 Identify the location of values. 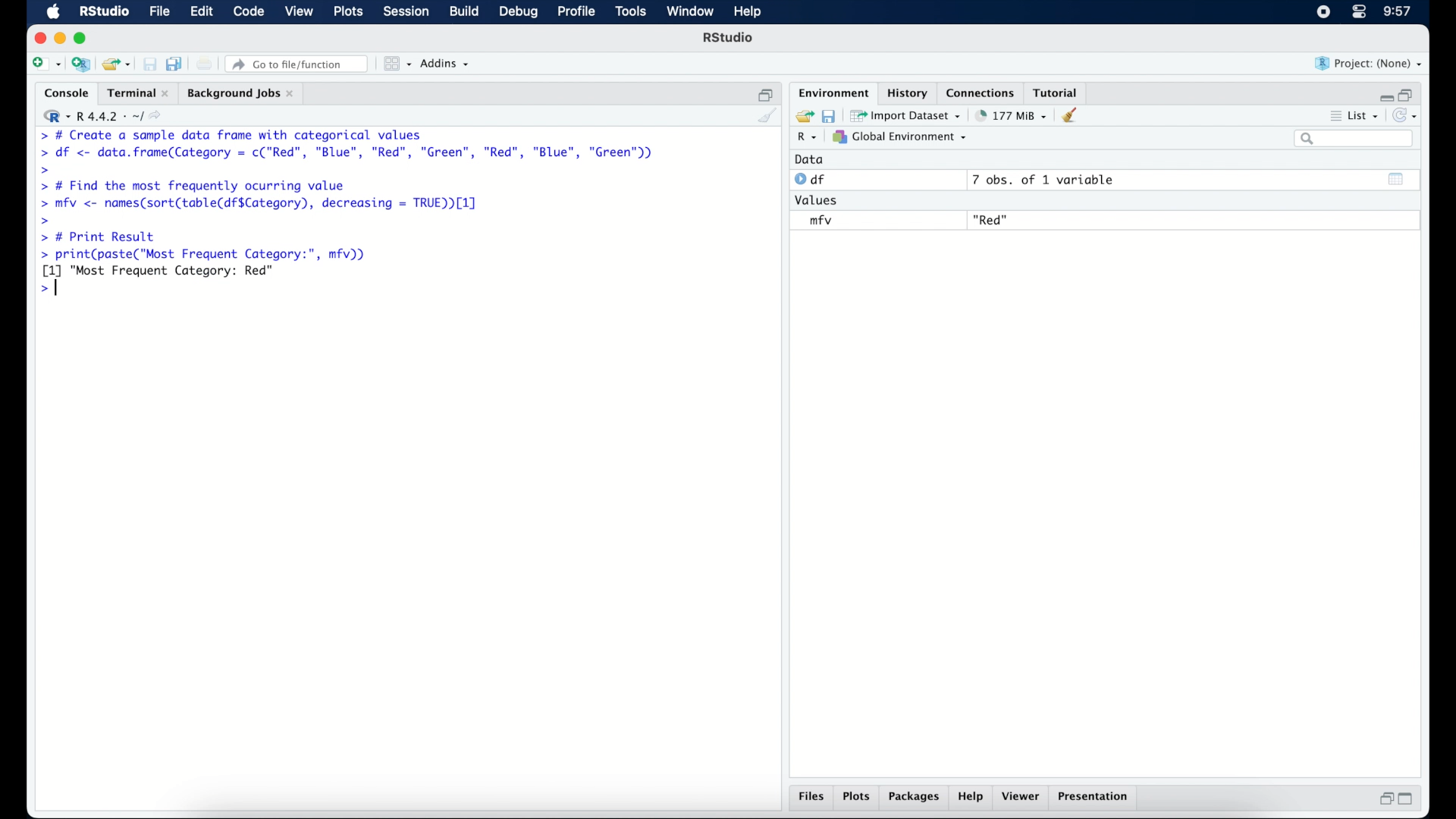
(820, 201).